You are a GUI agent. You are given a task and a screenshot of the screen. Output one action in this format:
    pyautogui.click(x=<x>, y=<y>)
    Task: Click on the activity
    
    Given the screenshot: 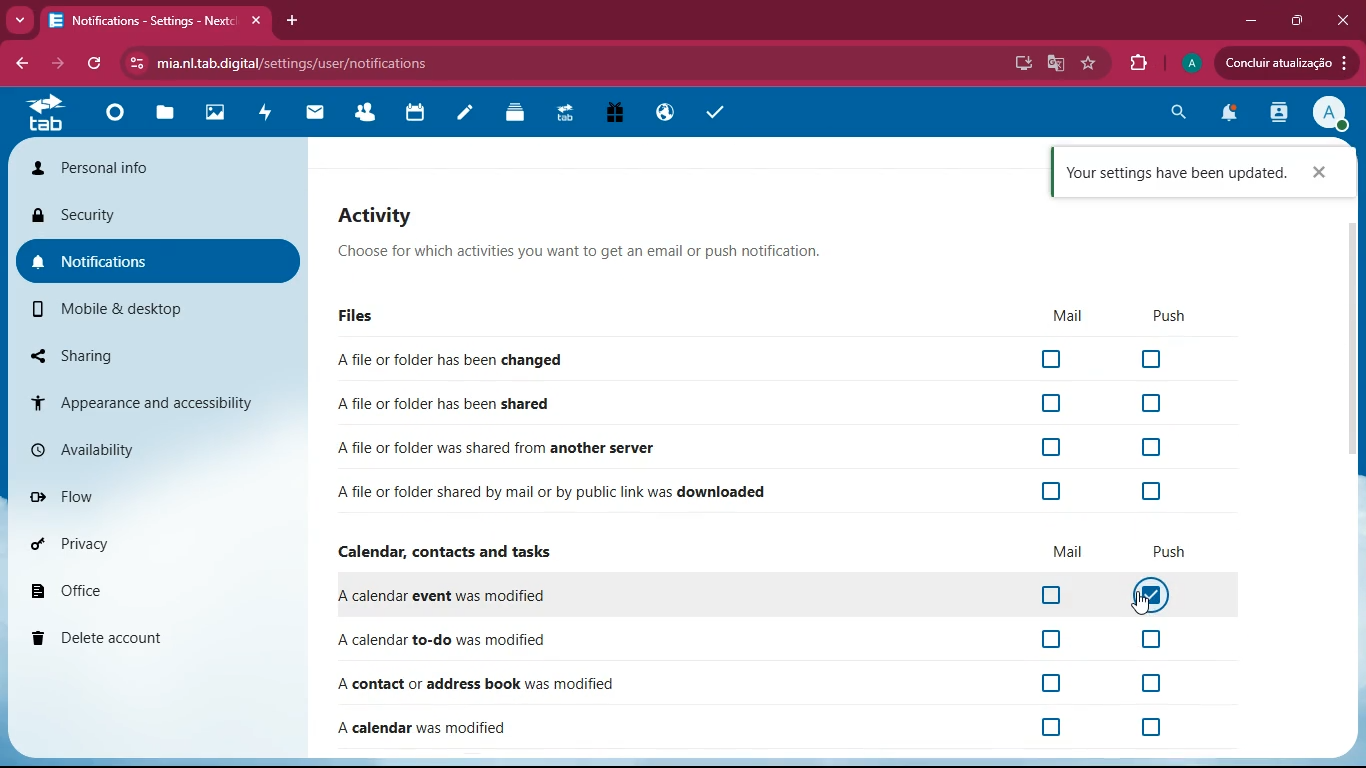 What is the action you would take?
    pyautogui.click(x=266, y=118)
    